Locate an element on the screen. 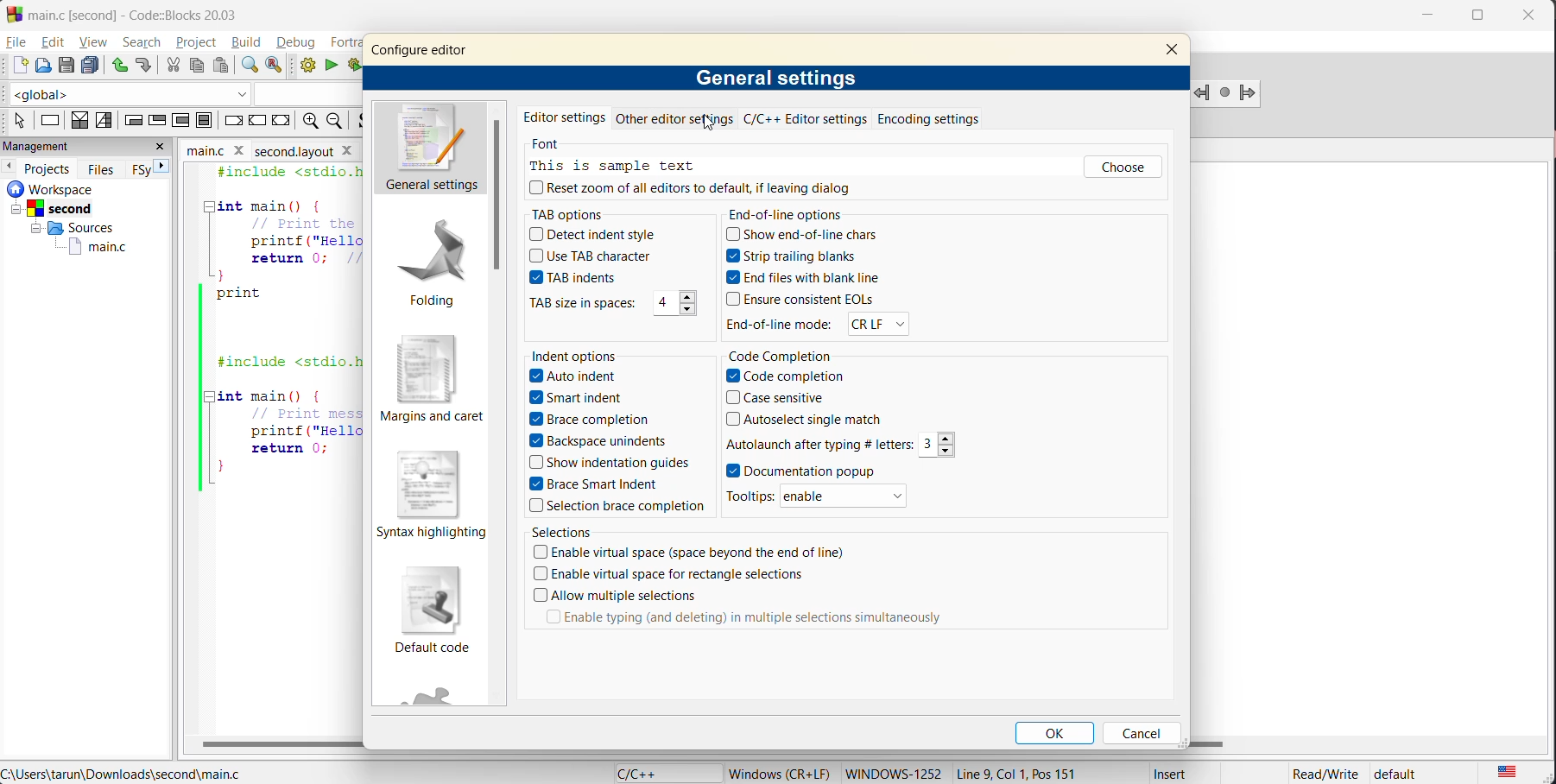 The height and width of the screenshot is (784, 1556). Ensure consistent EOLs is located at coordinates (802, 299).